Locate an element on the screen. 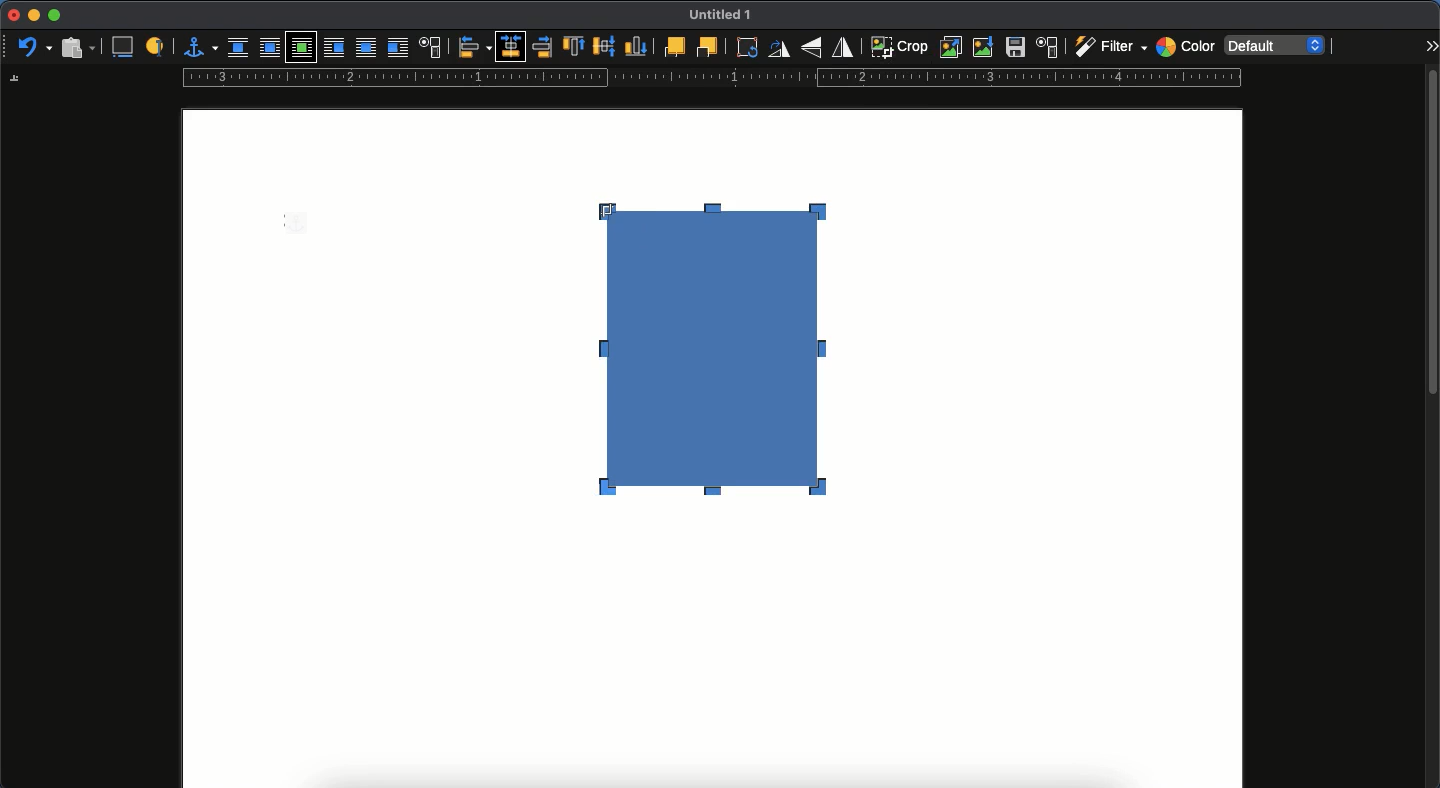  untitled is located at coordinates (716, 16).